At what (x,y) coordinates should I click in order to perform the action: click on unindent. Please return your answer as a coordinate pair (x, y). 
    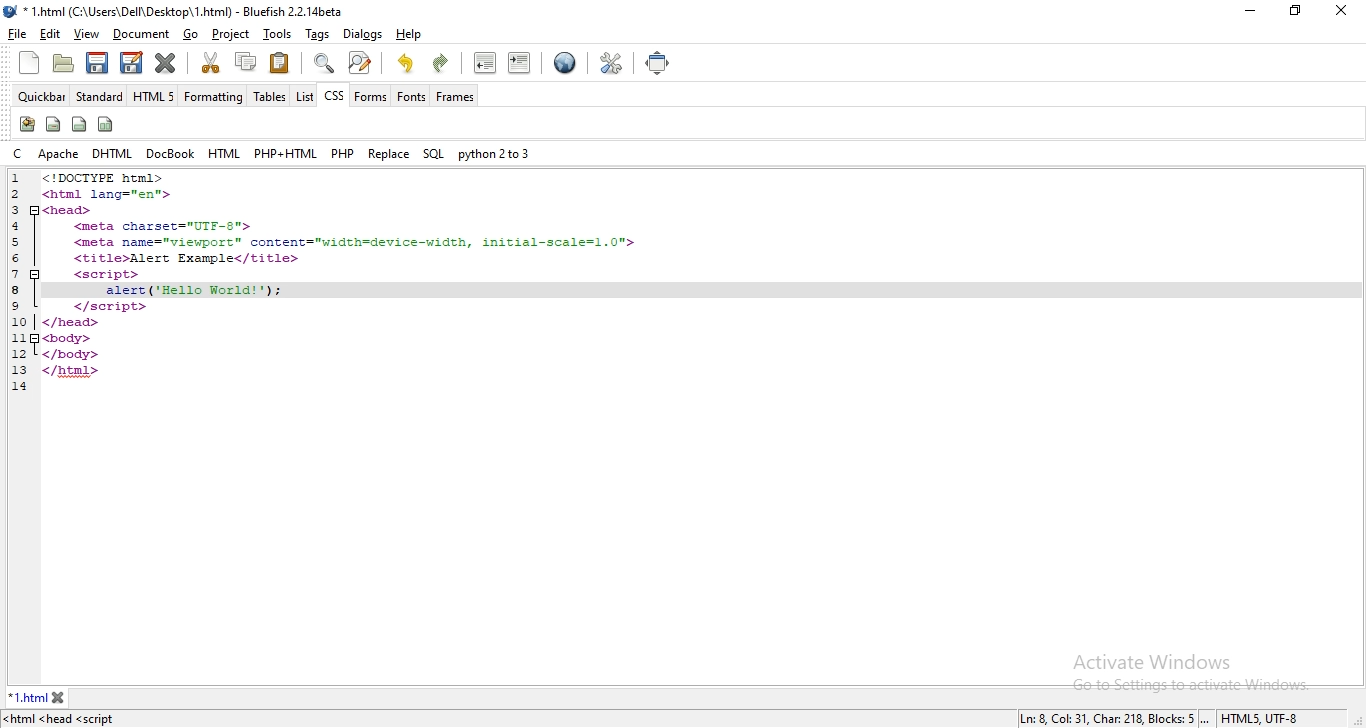
    Looking at the image, I should click on (485, 62).